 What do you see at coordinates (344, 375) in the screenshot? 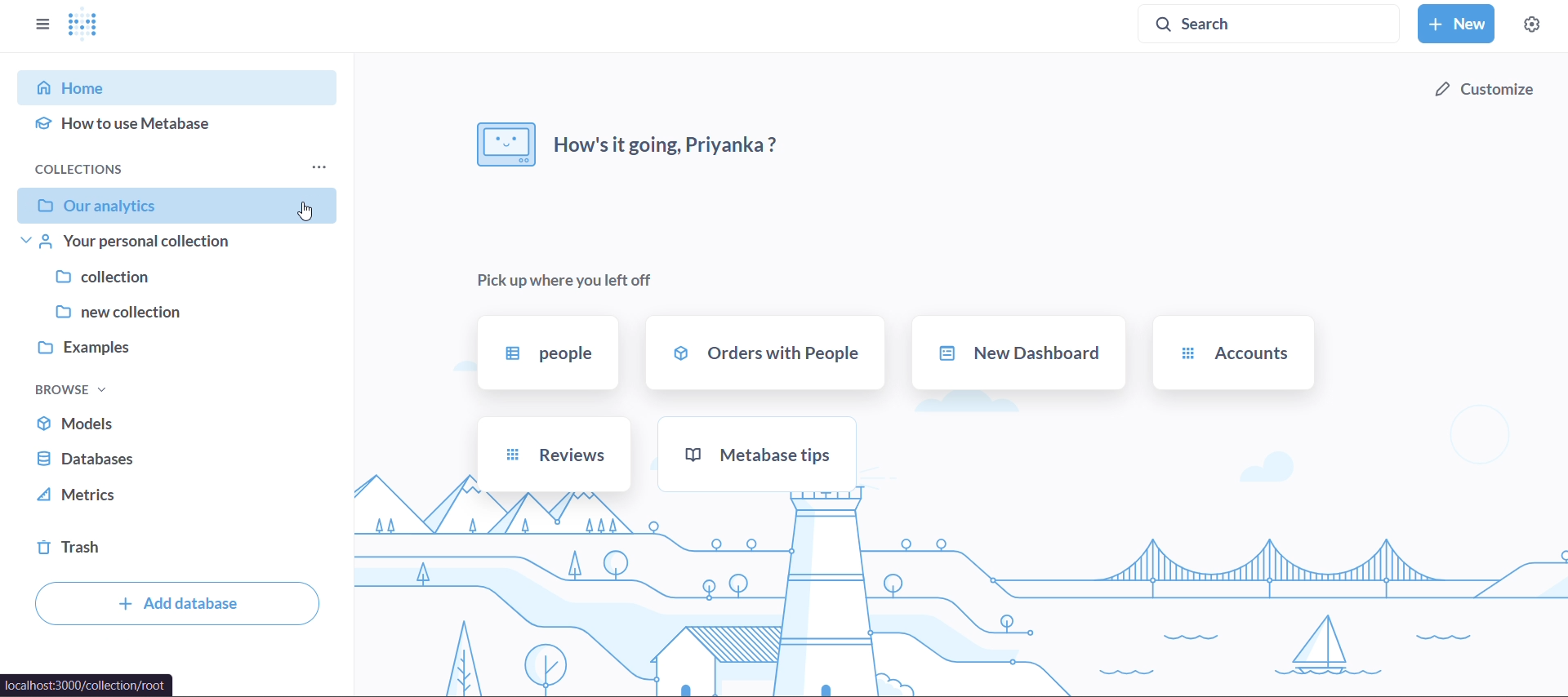
I see `vertical scroll bar` at bounding box center [344, 375].